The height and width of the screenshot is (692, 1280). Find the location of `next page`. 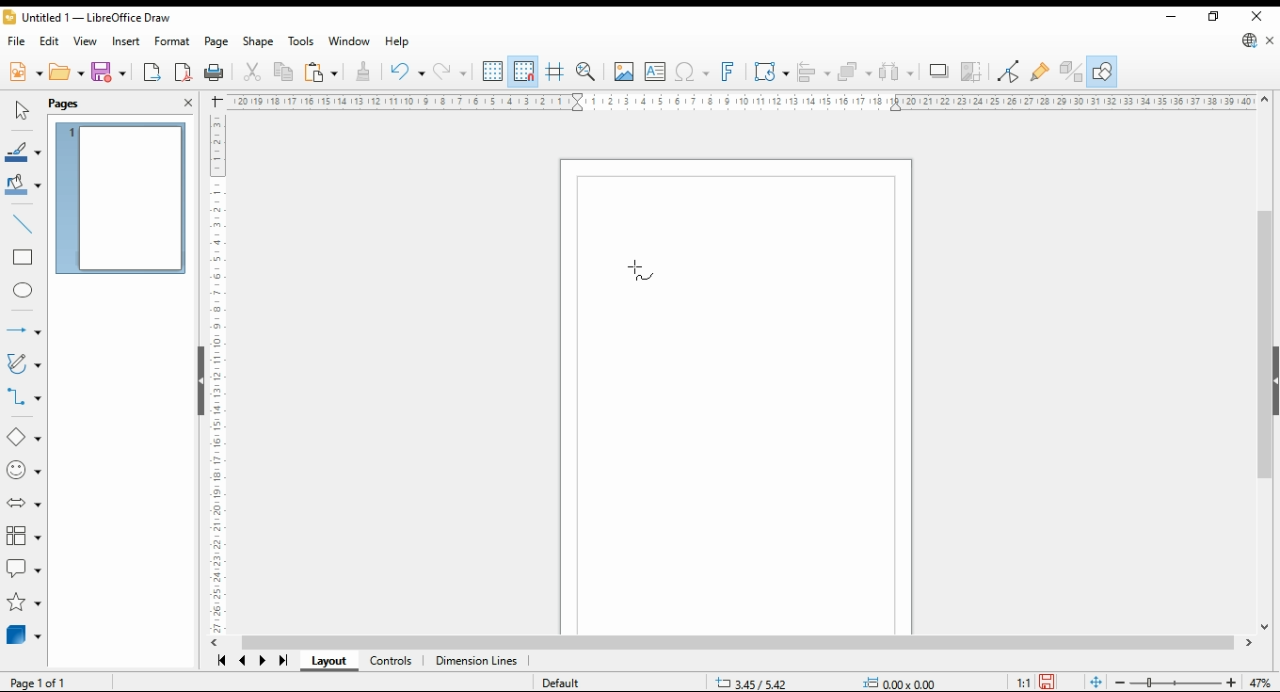

next page is located at coordinates (262, 661).